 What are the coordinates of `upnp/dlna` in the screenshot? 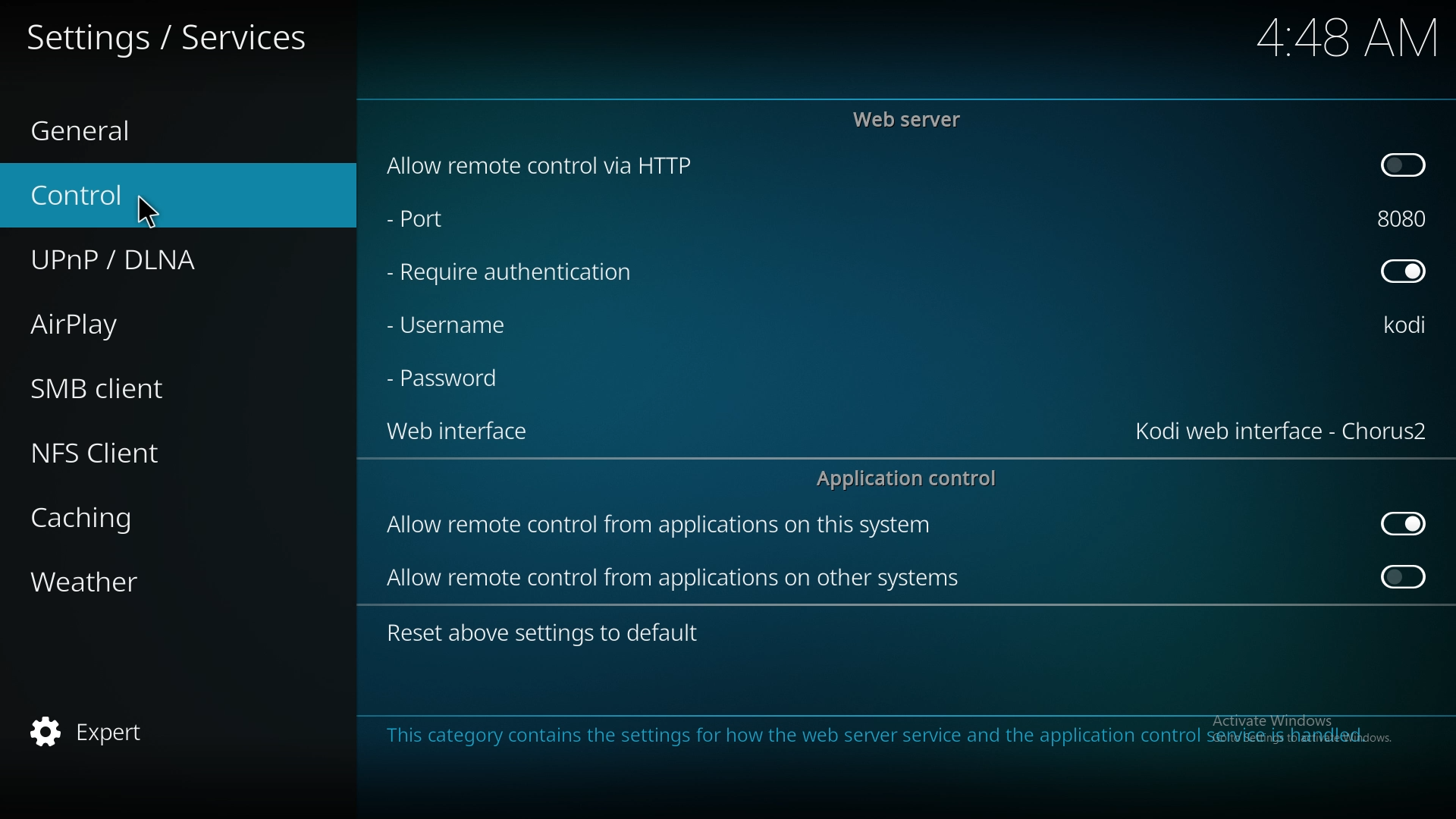 It's located at (139, 261).